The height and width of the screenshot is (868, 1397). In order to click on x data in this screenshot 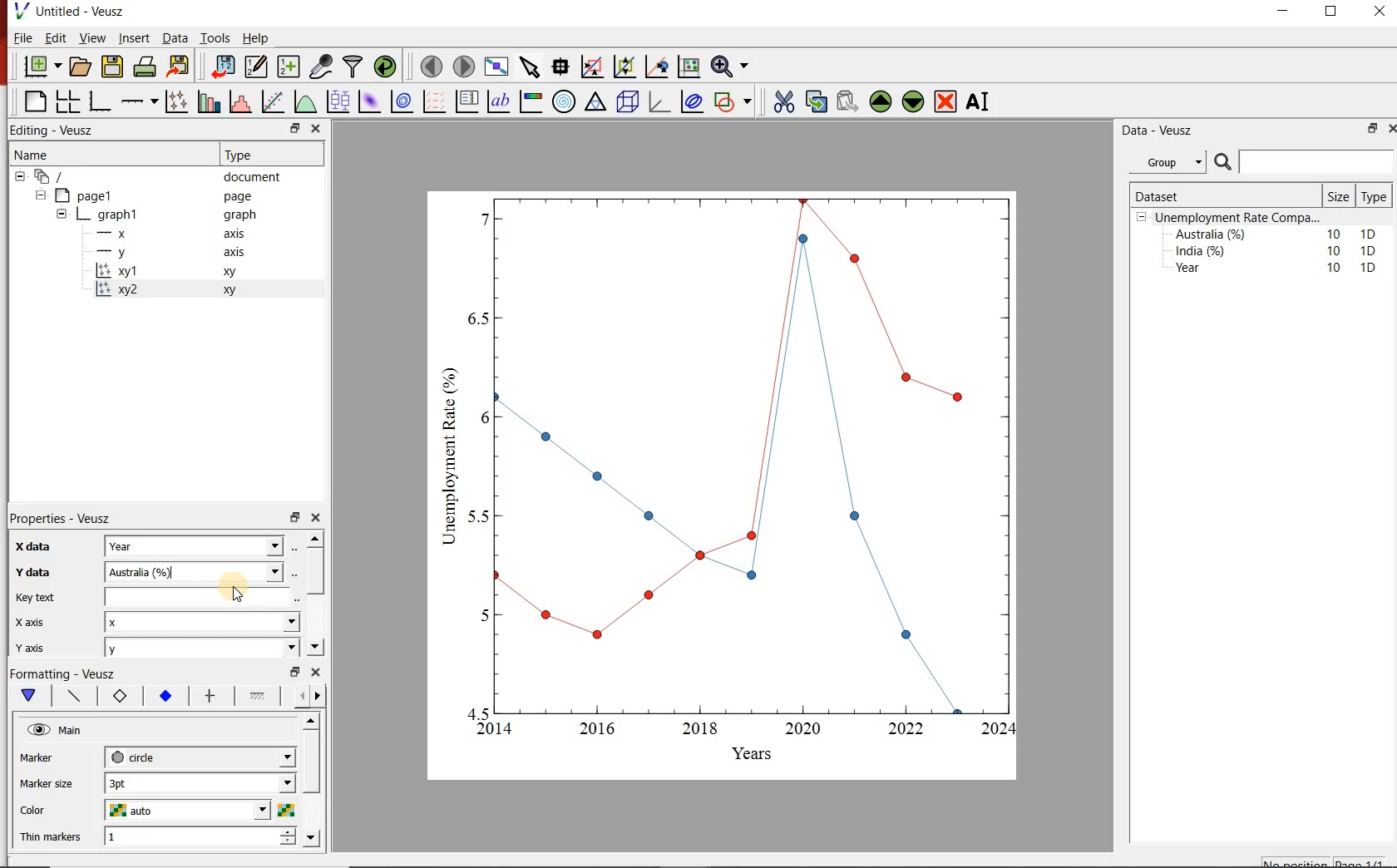, I will do `click(29, 547)`.